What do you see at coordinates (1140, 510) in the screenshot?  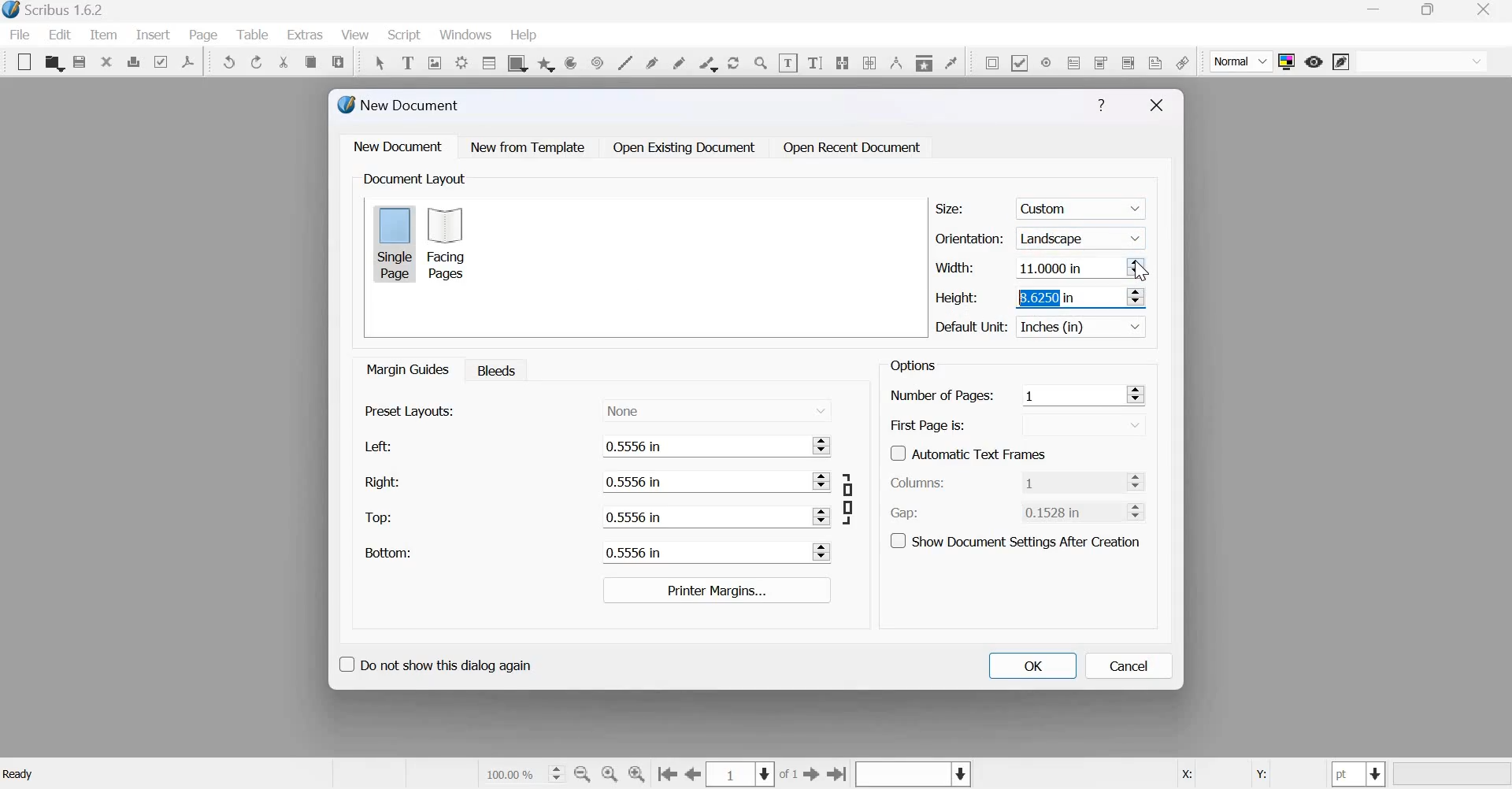 I see `Increase and Decrease` at bounding box center [1140, 510].